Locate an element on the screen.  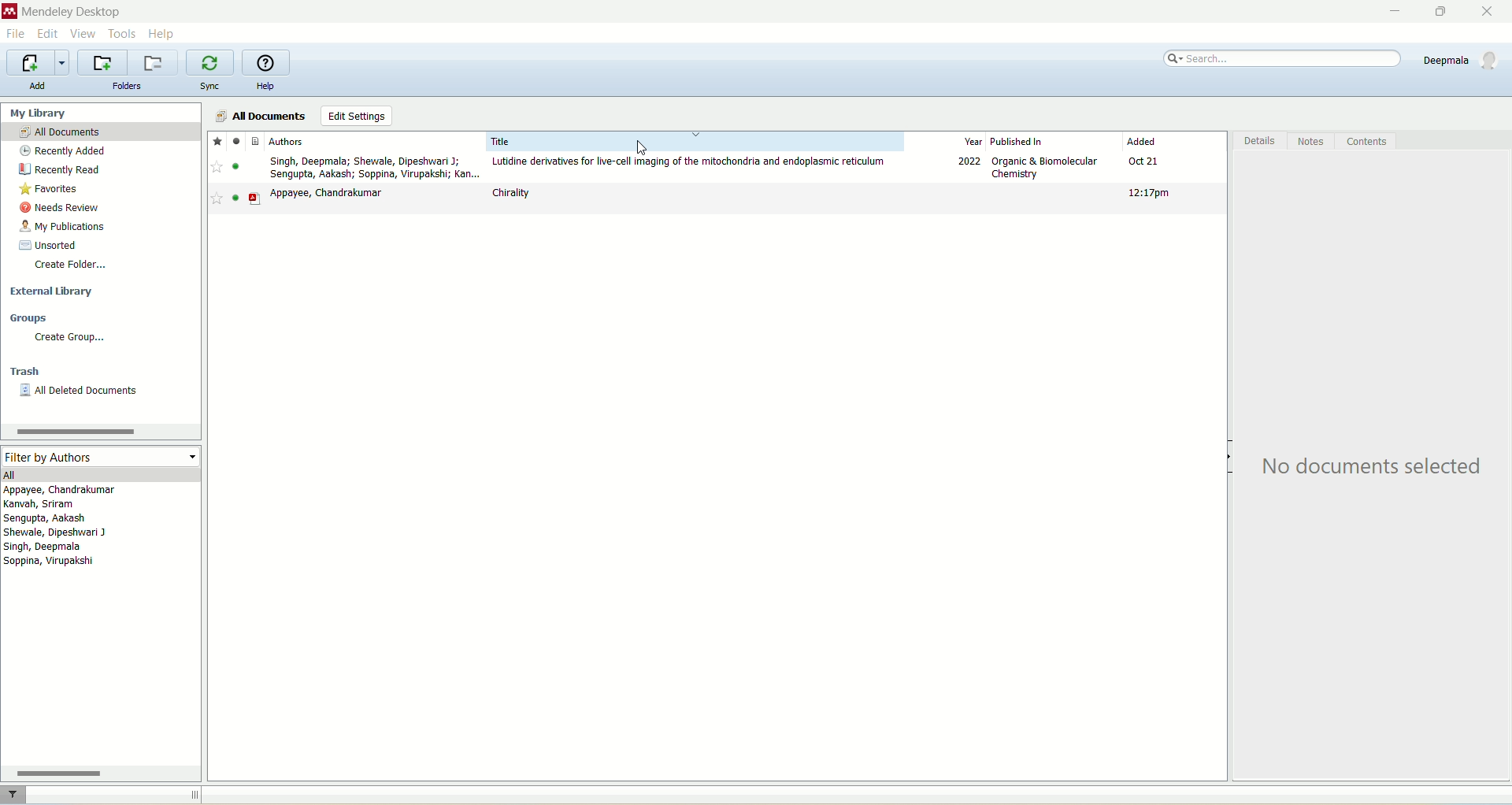
all is located at coordinates (98, 474).